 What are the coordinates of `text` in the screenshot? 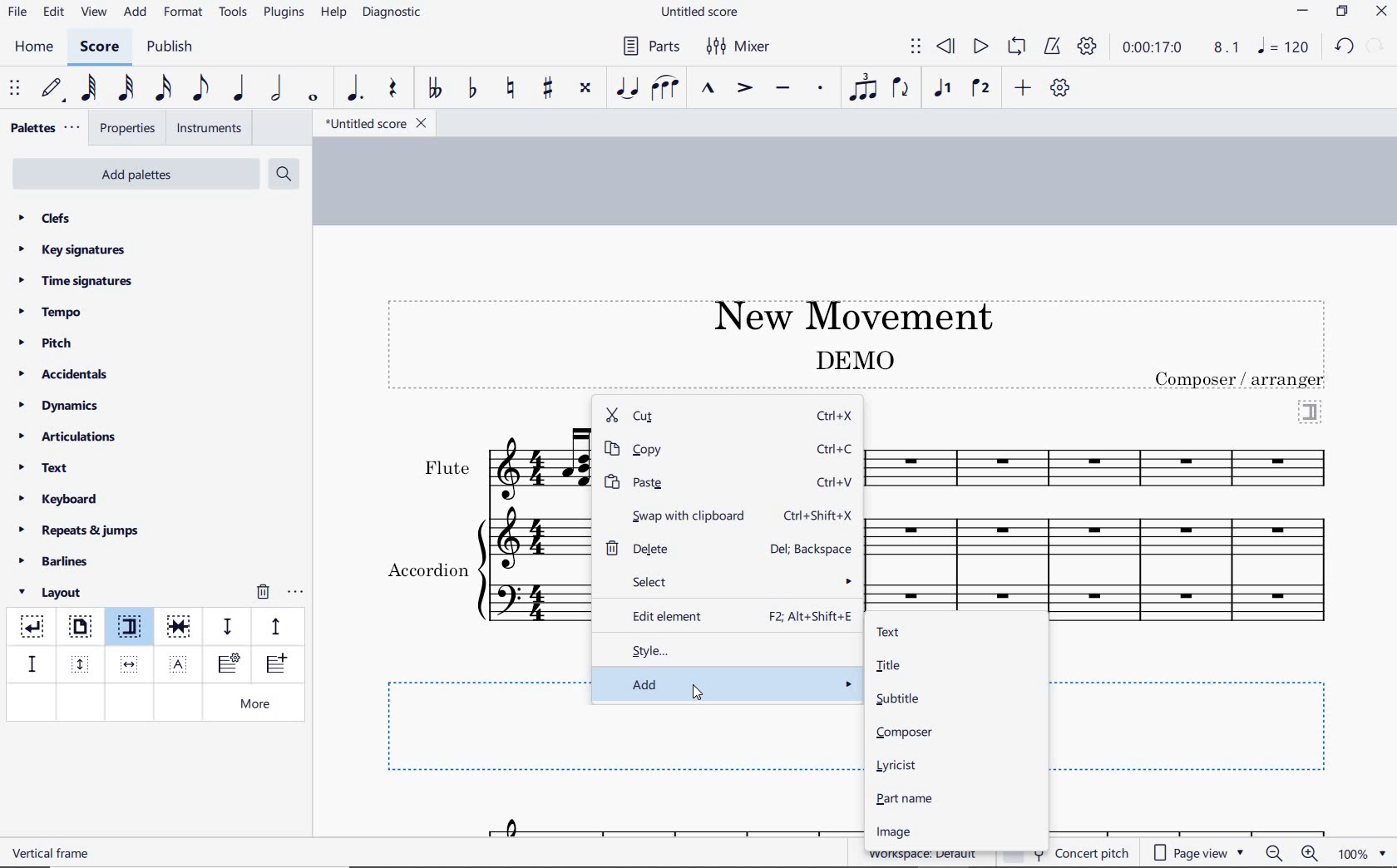 It's located at (45, 470).